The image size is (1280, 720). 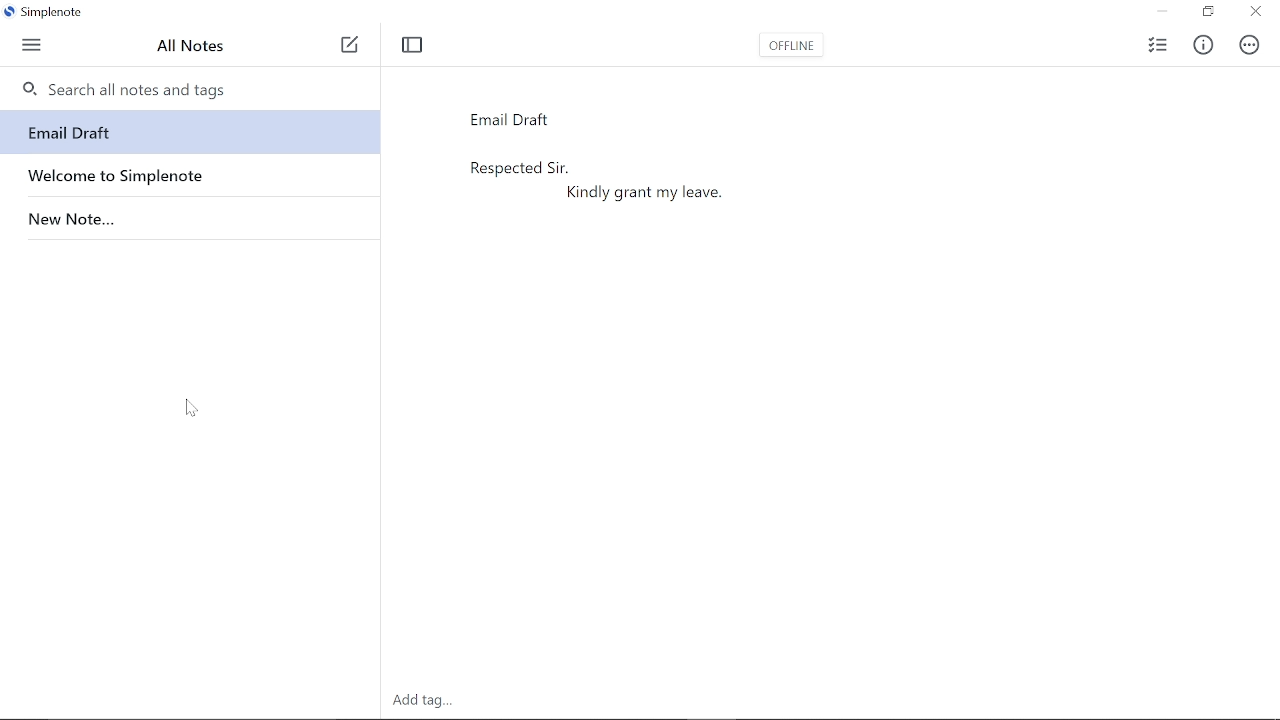 I want to click on Minimize, so click(x=1168, y=12).